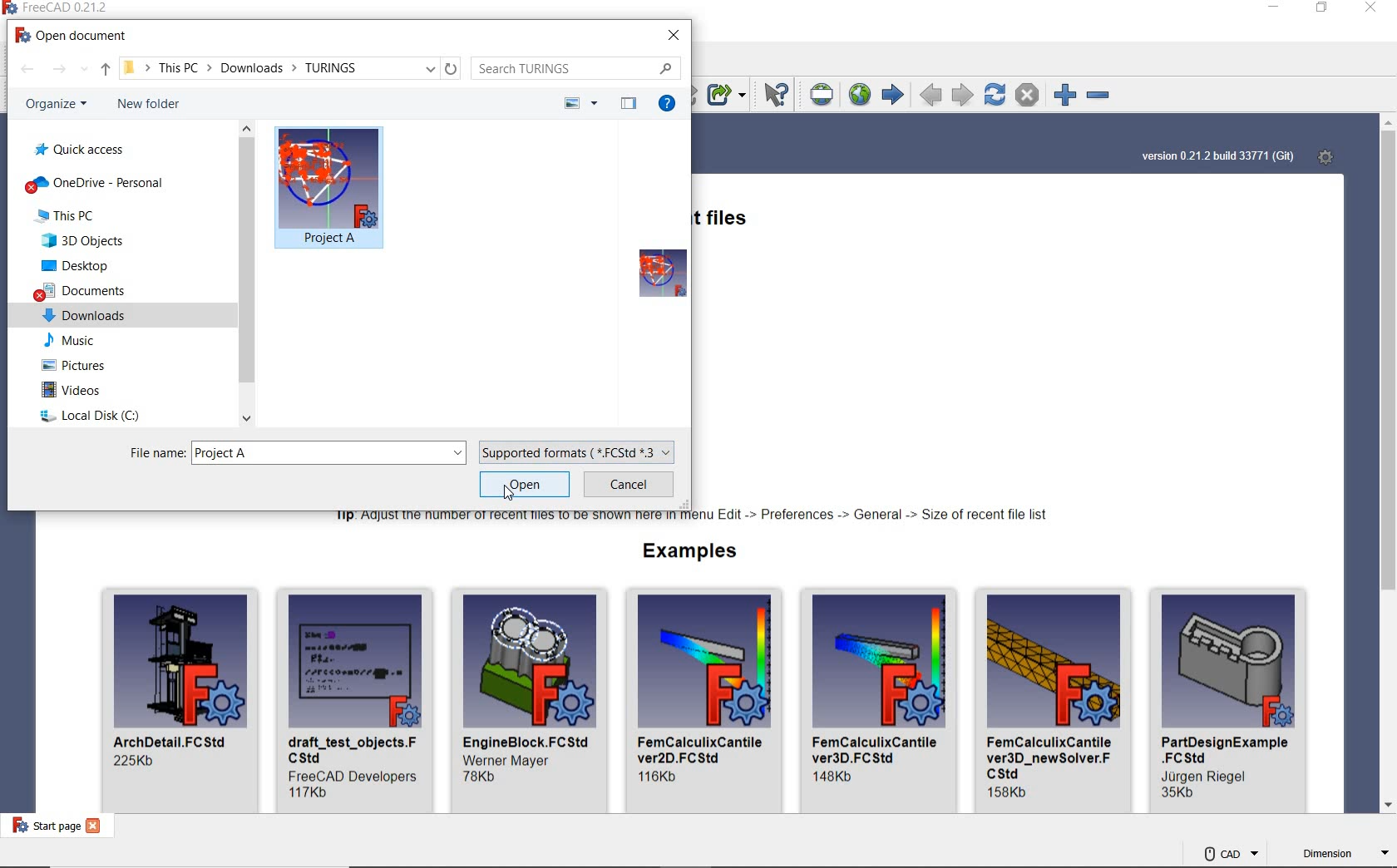  I want to click on CLOSE, so click(674, 36).